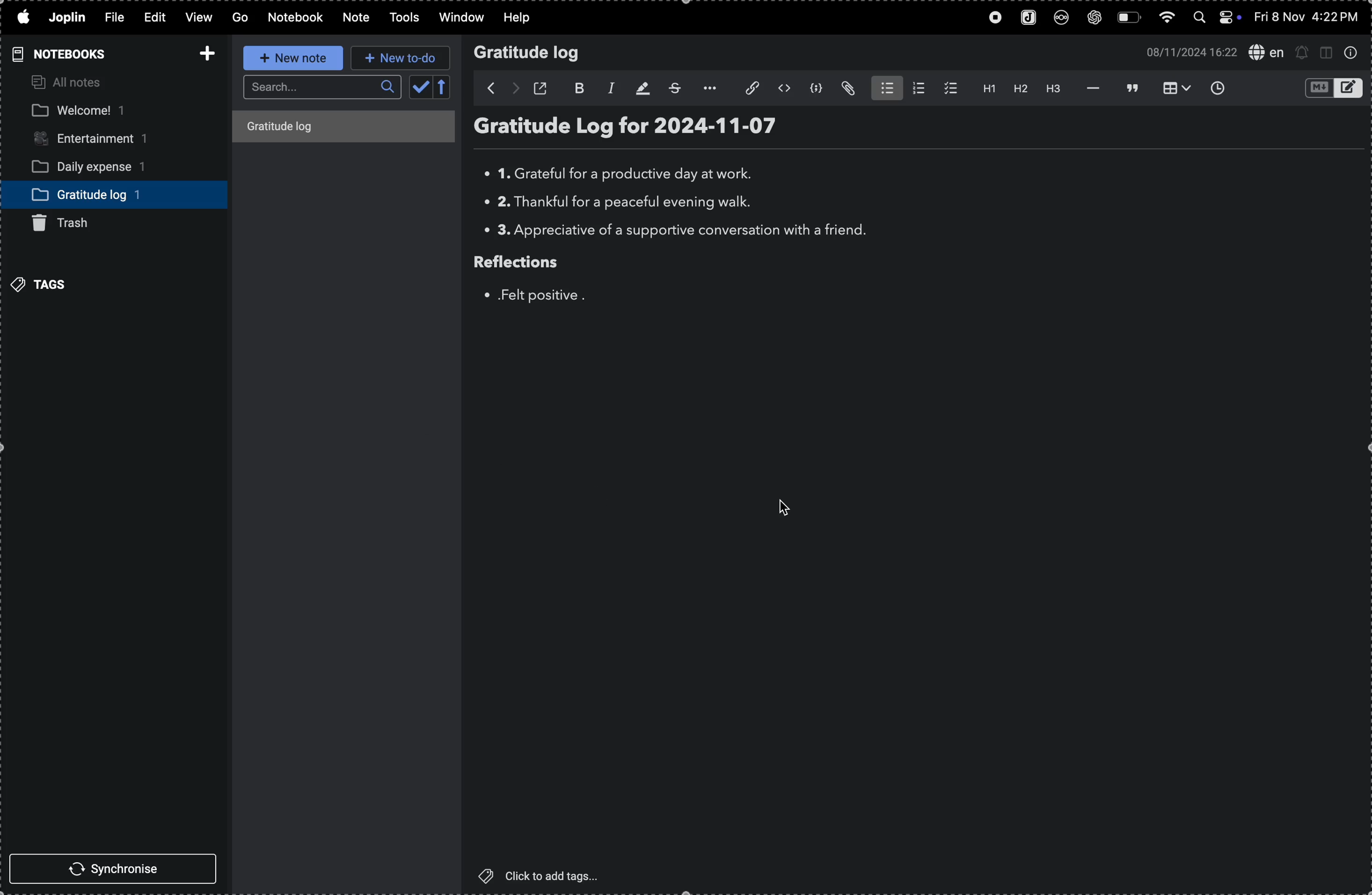 Image resolution: width=1372 pixels, height=895 pixels. I want to click on new note, so click(292, 58).